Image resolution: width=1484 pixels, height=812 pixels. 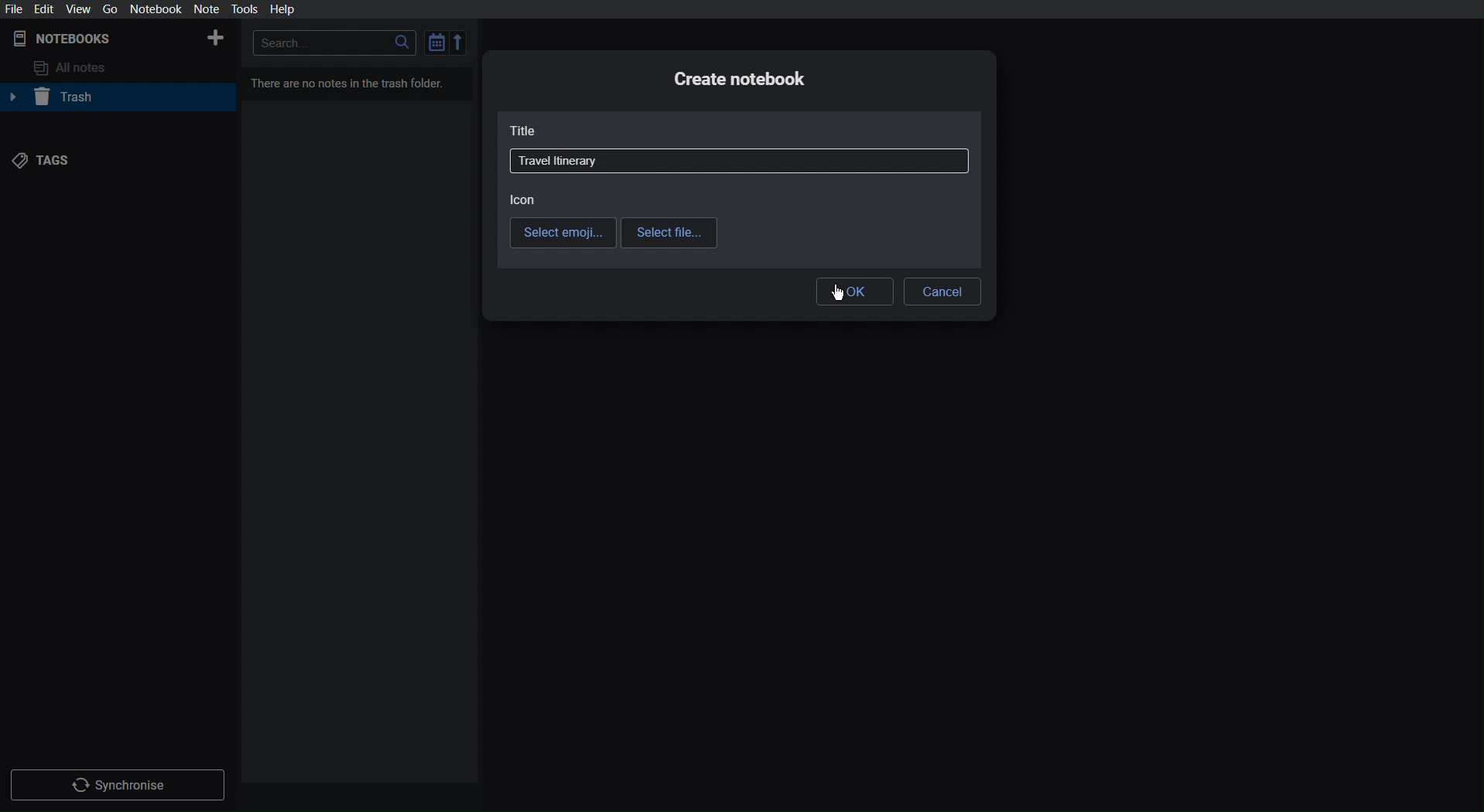 I want to click on Title, so click(x=522, y=131).